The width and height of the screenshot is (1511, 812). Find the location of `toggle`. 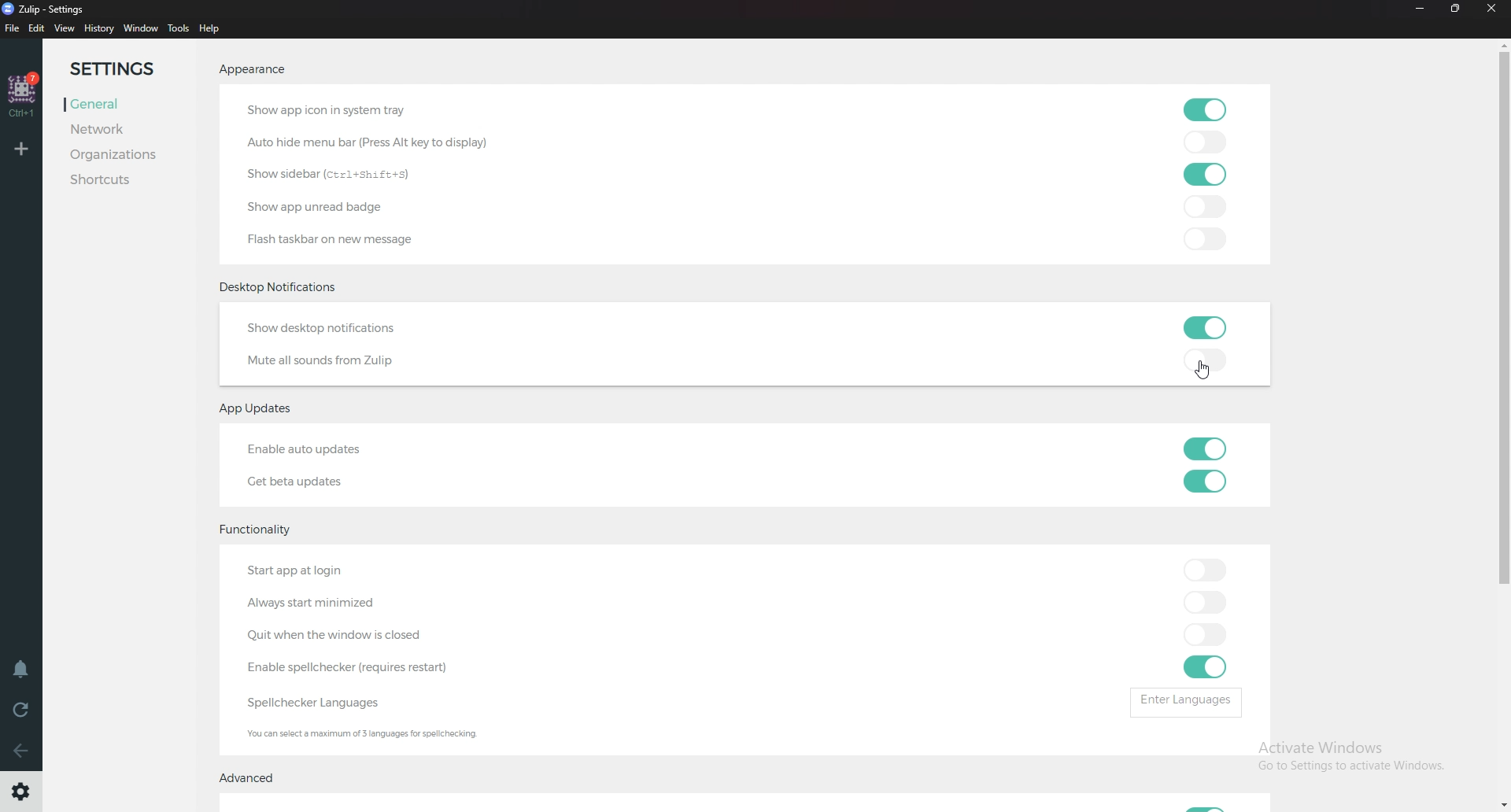

toggle is located at coordinates (1206, 238).